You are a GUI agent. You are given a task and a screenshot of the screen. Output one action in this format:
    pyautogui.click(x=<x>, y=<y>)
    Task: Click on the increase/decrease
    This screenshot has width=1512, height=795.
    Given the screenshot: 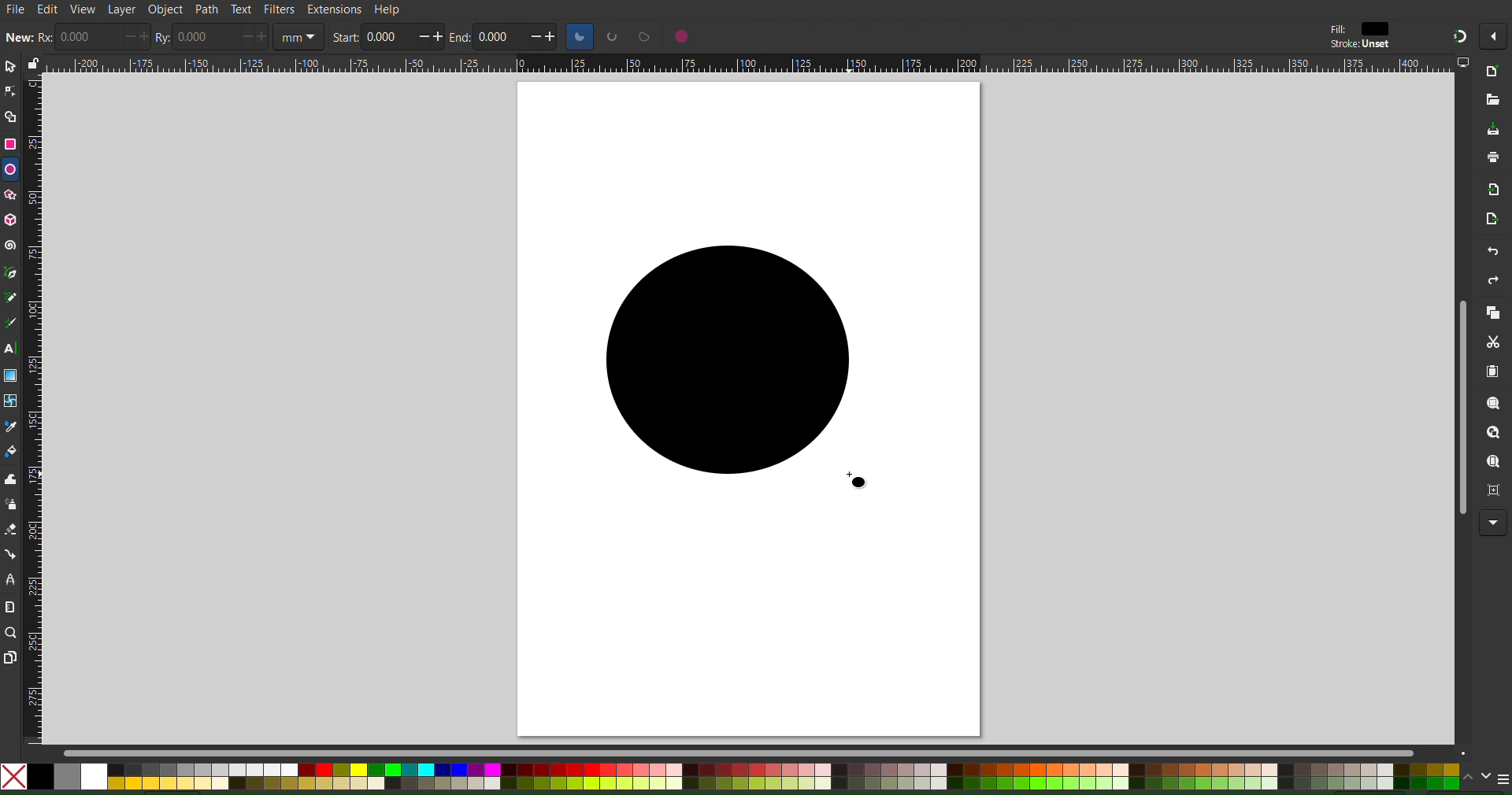 What is the action you would take?
    pyautogui.click(x=136, y=38)
    